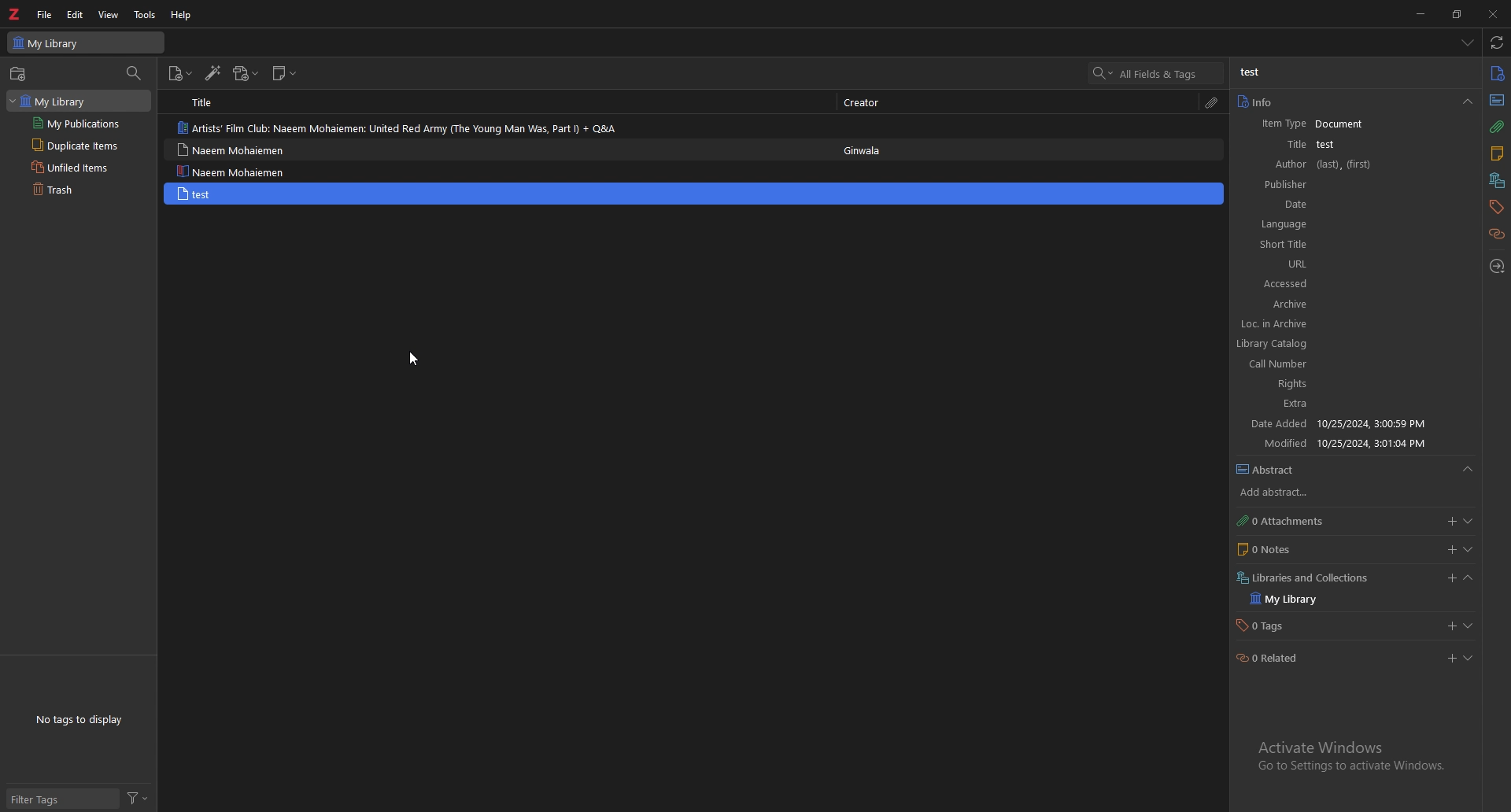 The height and width of the screenshot is (812, 1511). What do you see at coordinates (1475, 622) in the screenshot?
I see `modified input` at bounding box center [1475, 622].